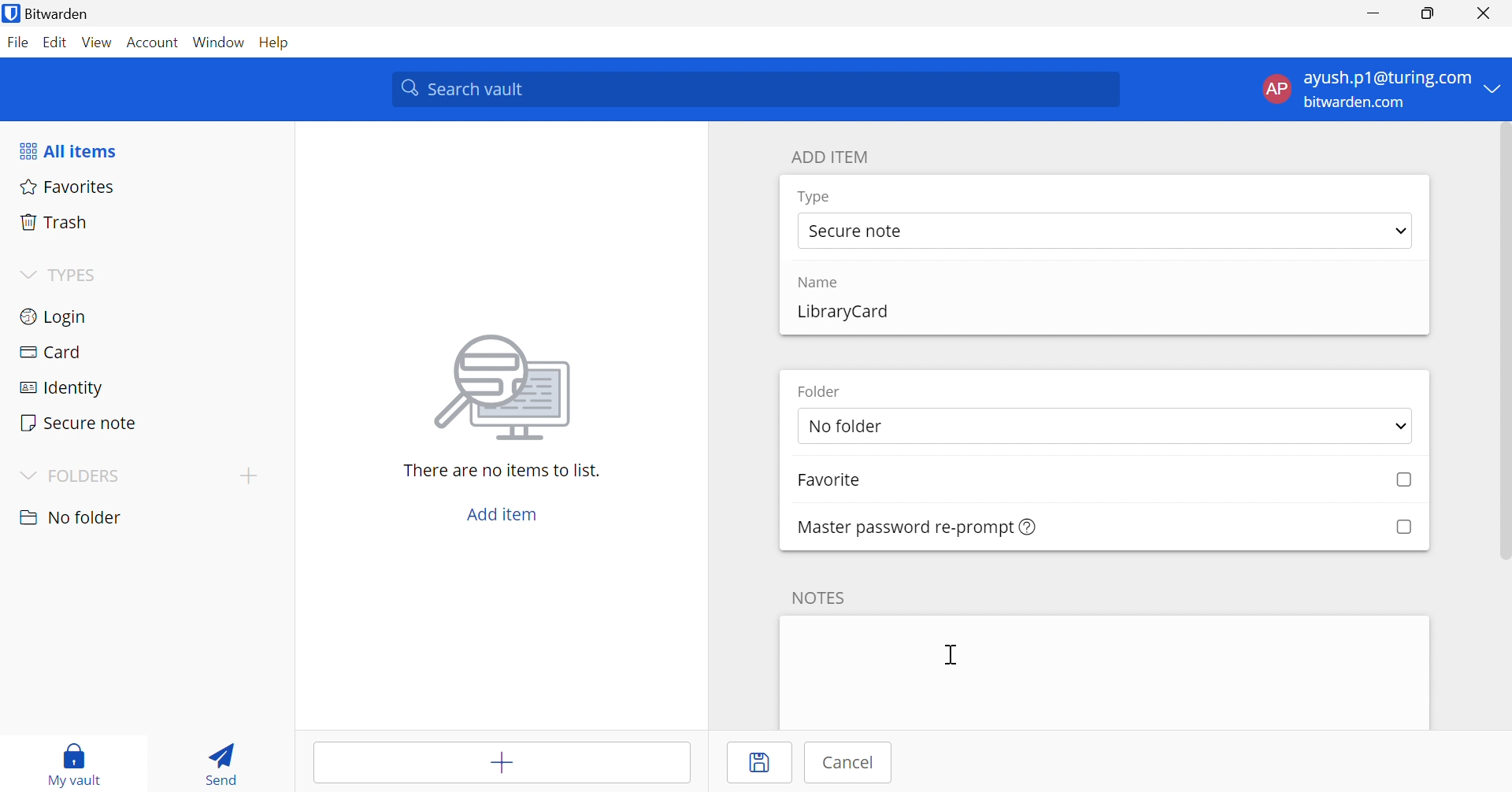 Image resolution: width=1512 pixels, height=792 pixels. I want to click on All items, so click(67, 149).